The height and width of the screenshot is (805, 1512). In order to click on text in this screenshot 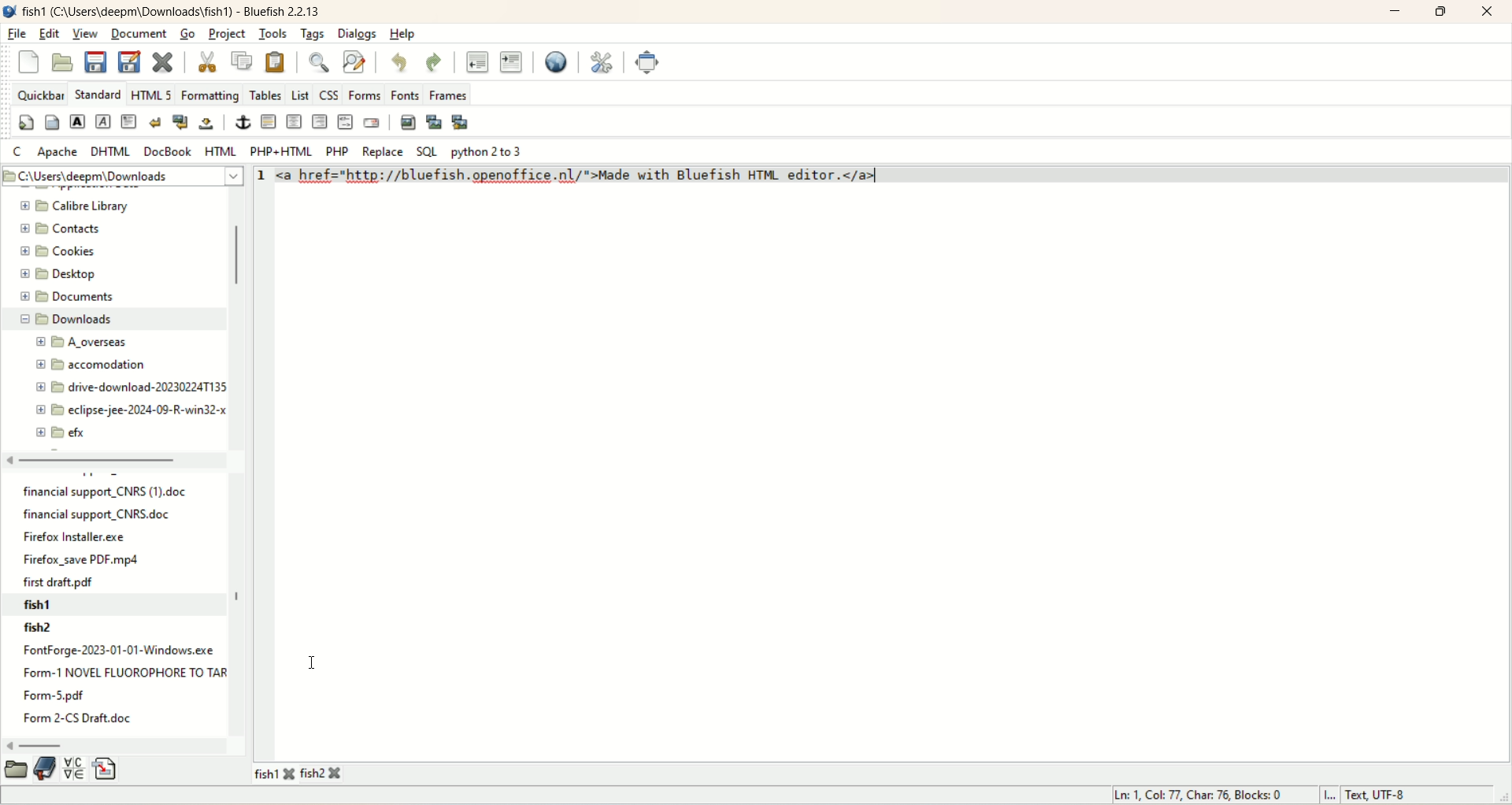, I will do `click(107, 536)`.